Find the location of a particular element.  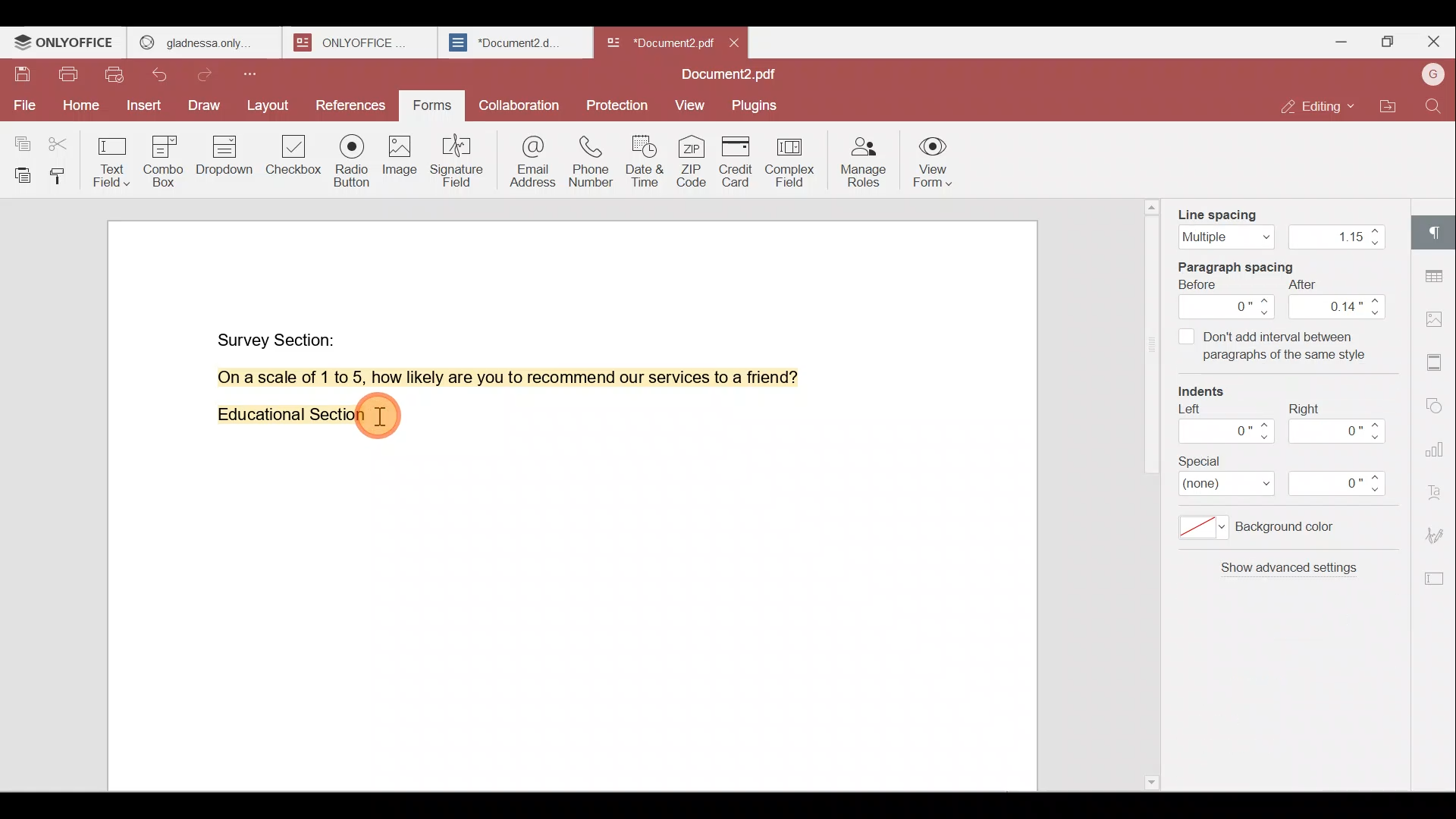

Print file is located at coordinates (67, 77).